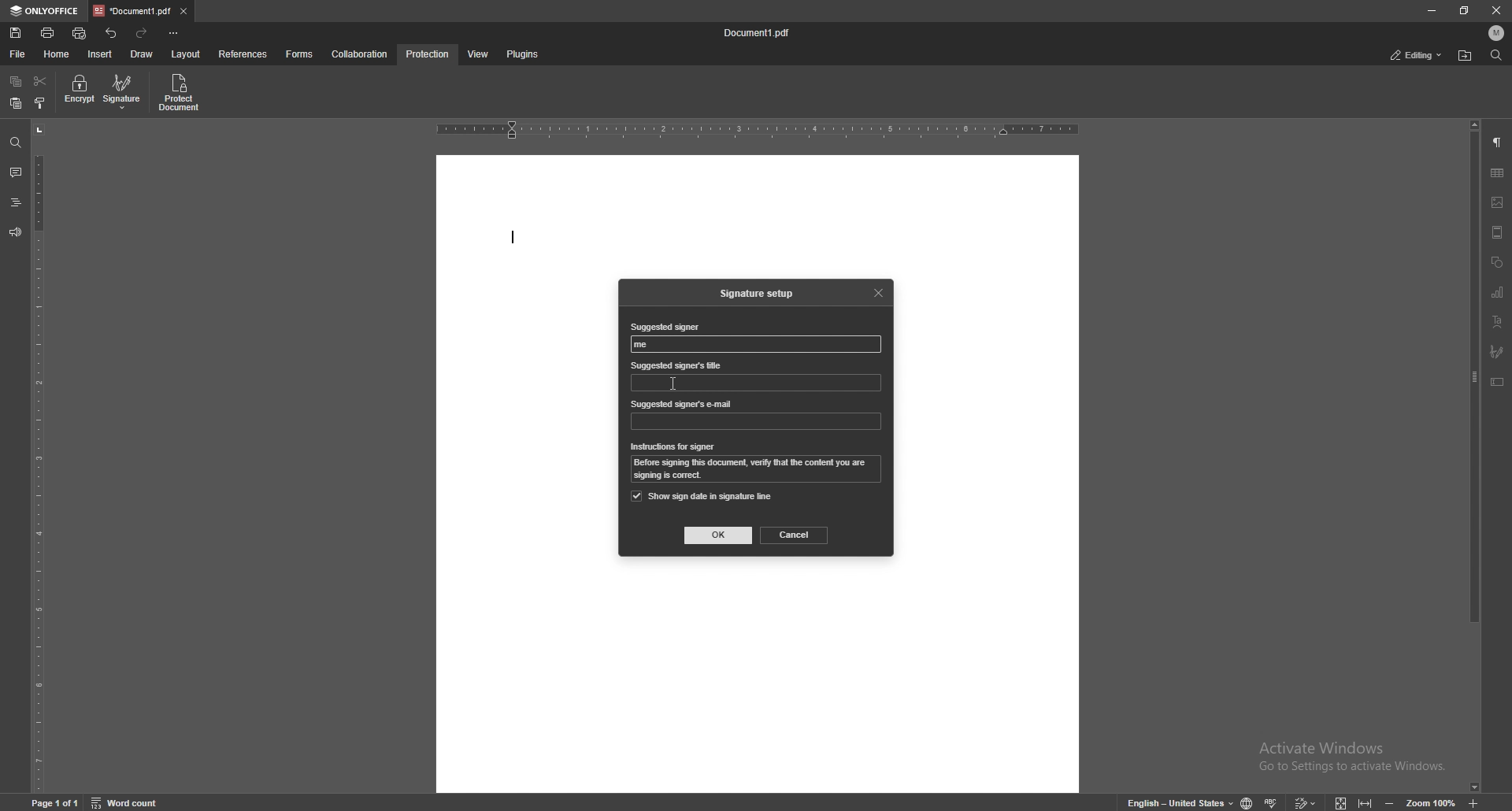 The height and width of the screenshot is (811, 1512). What do you see at coordinates (184, 10) in the screenshot?
I see `close tab` at bounding box center [184, 10].